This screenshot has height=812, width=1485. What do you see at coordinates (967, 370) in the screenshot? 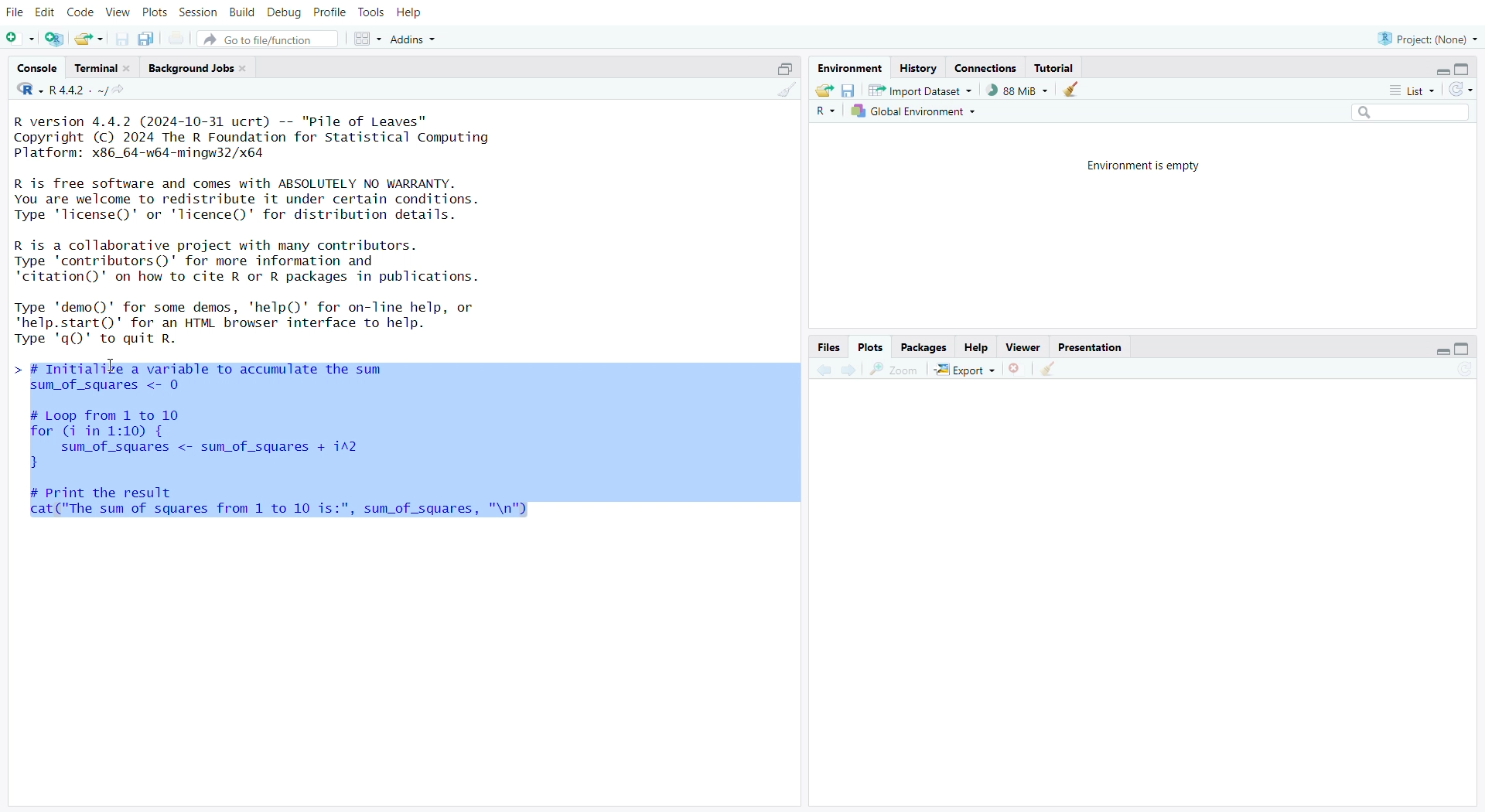
I see `export` at bounding box center [967, 370].